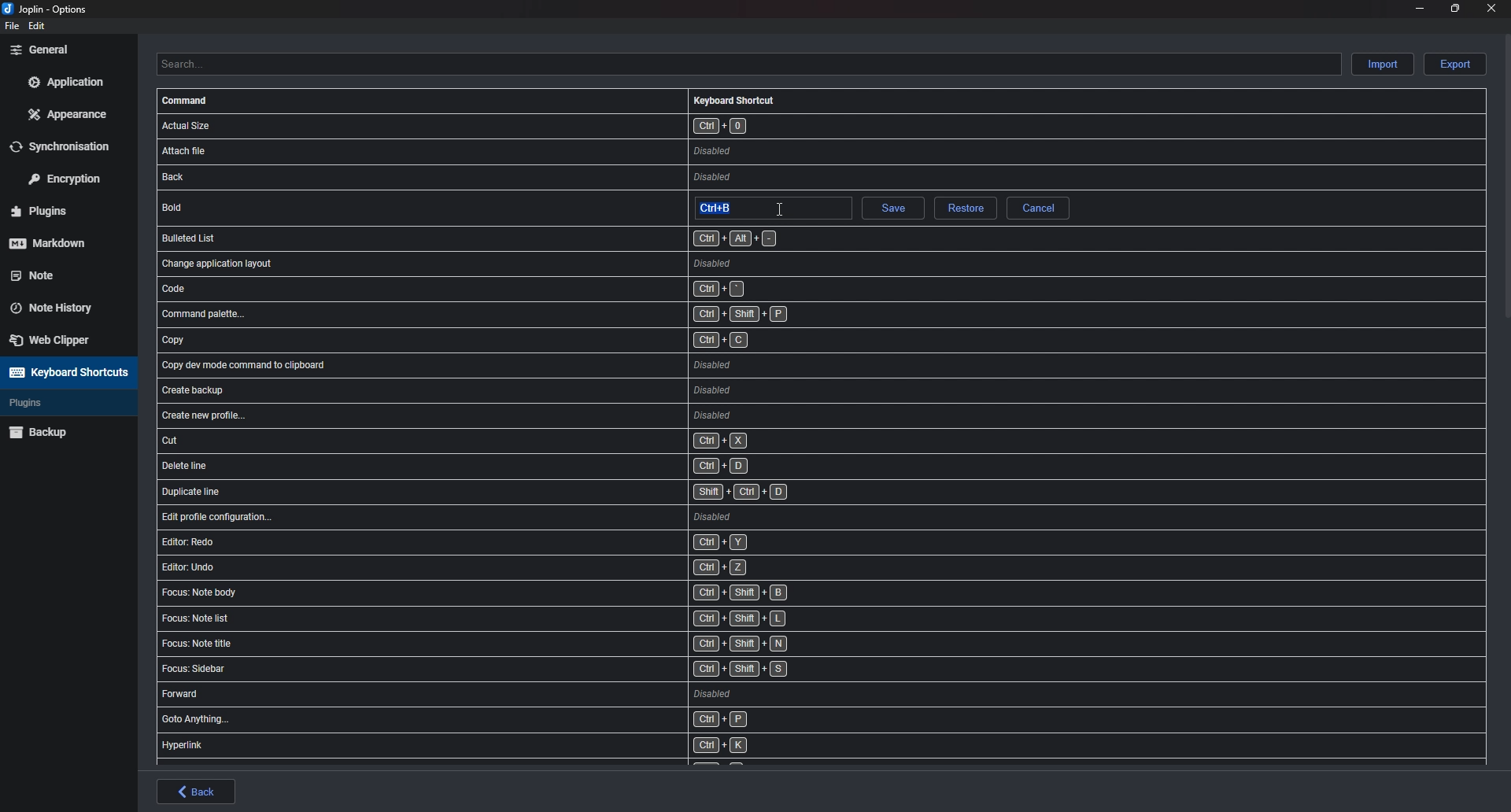  Describe the element at coordinates (522, 592) in the screenshot. I see `shortcut` at that location.